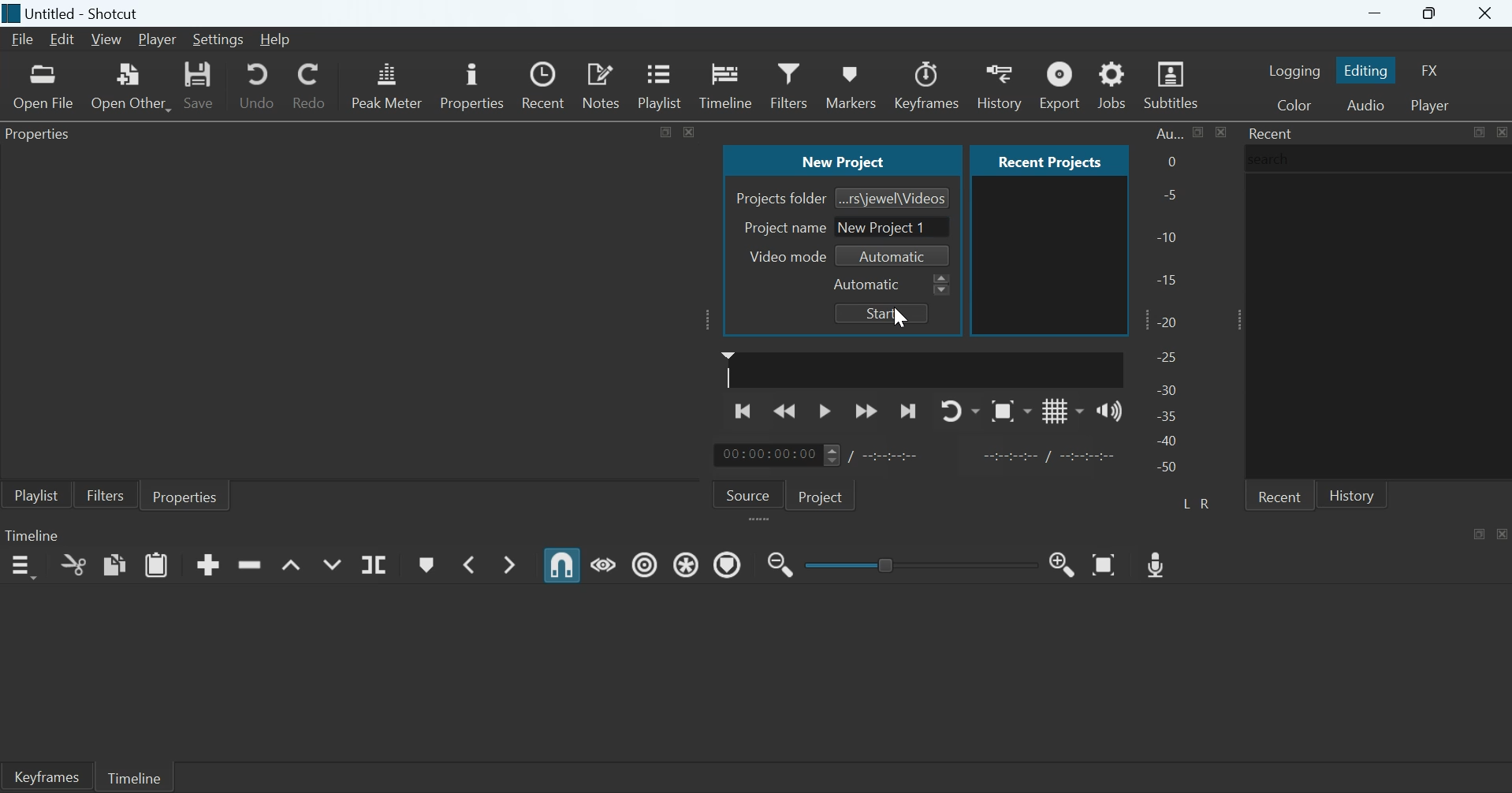 The height and width of the screenshot is (793, 1512). What do you see at coordinates (780, 199) in the screenshot?
I see `Project folder` at bounding box center [780, 199].